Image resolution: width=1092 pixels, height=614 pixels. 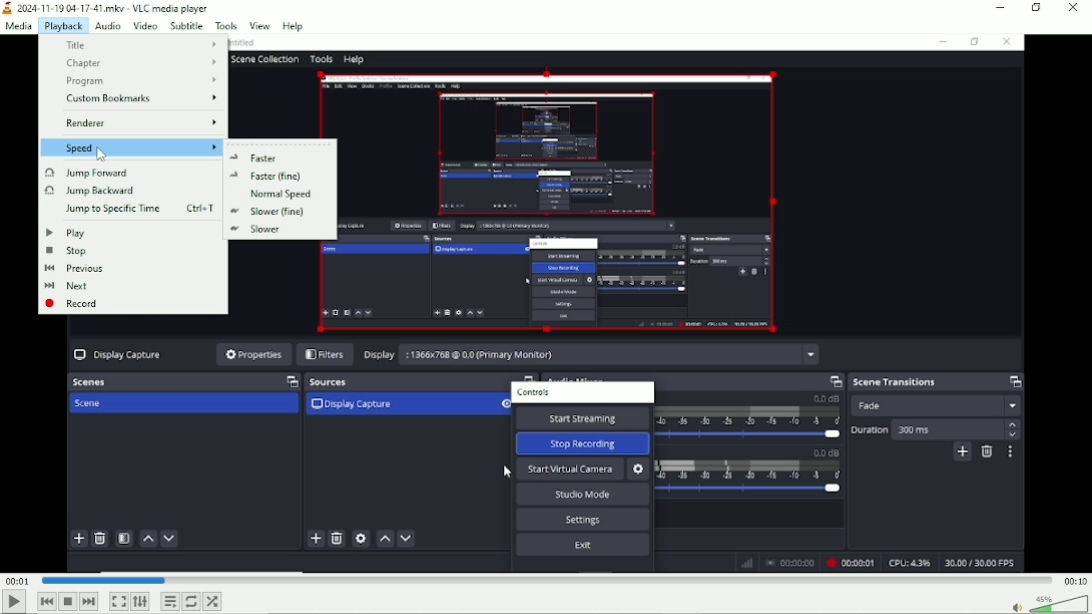 I want to click on media, so click(x=19, y=26).